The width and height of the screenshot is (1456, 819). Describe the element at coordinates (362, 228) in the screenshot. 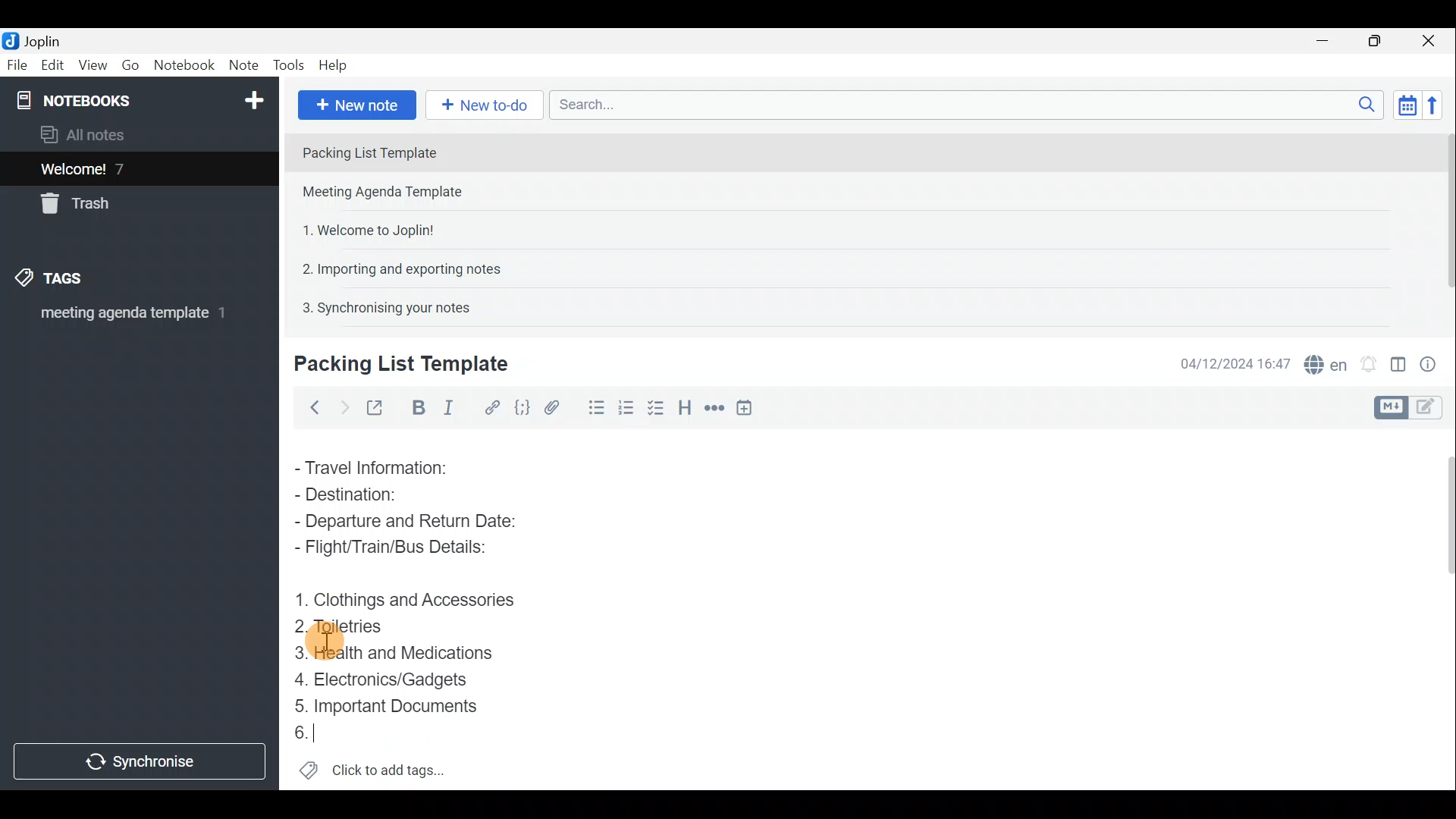

I see `Note 3` at that location.